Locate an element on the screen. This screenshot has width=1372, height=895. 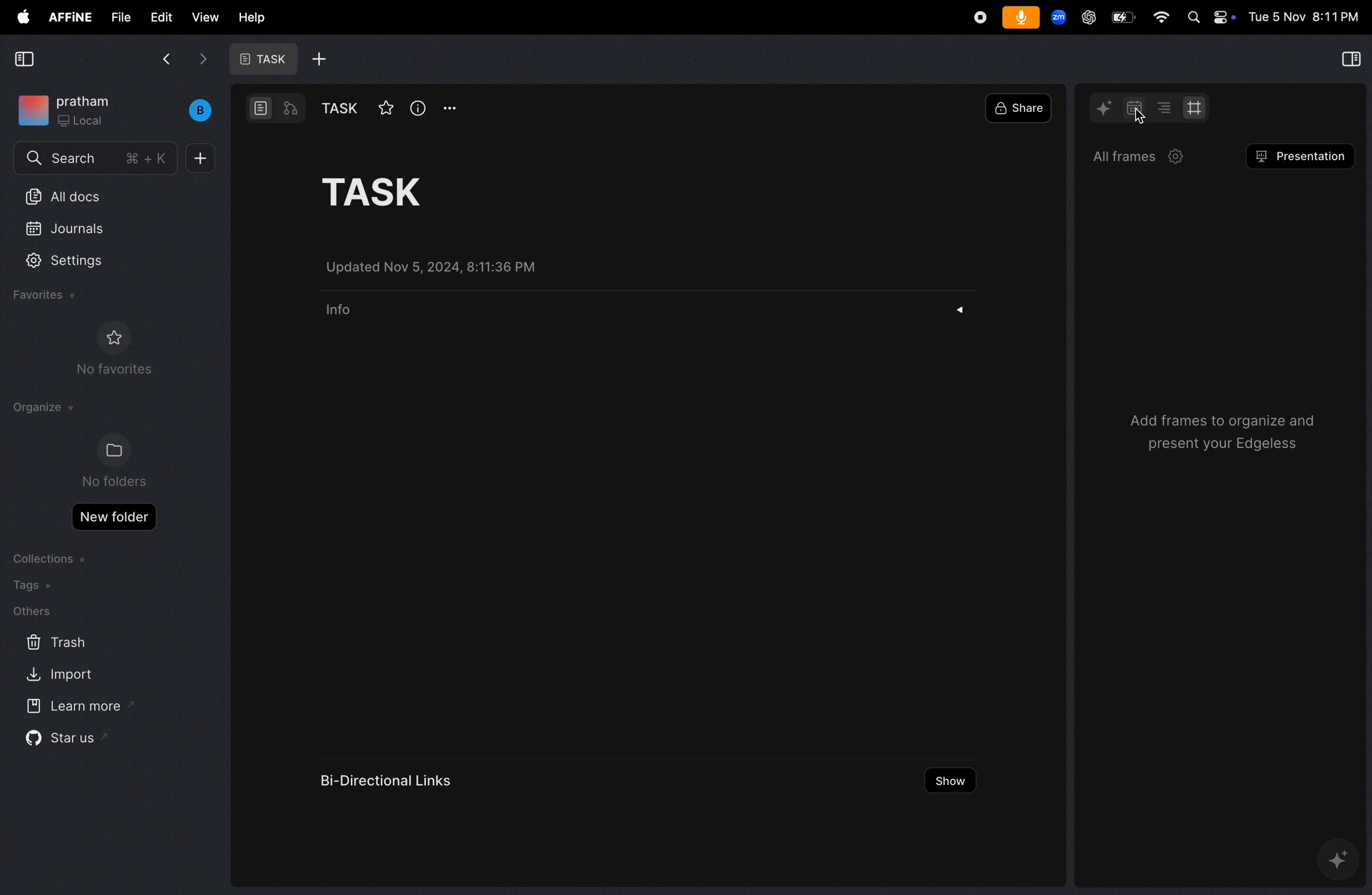
date and time is located at coordinates (1304, 17).